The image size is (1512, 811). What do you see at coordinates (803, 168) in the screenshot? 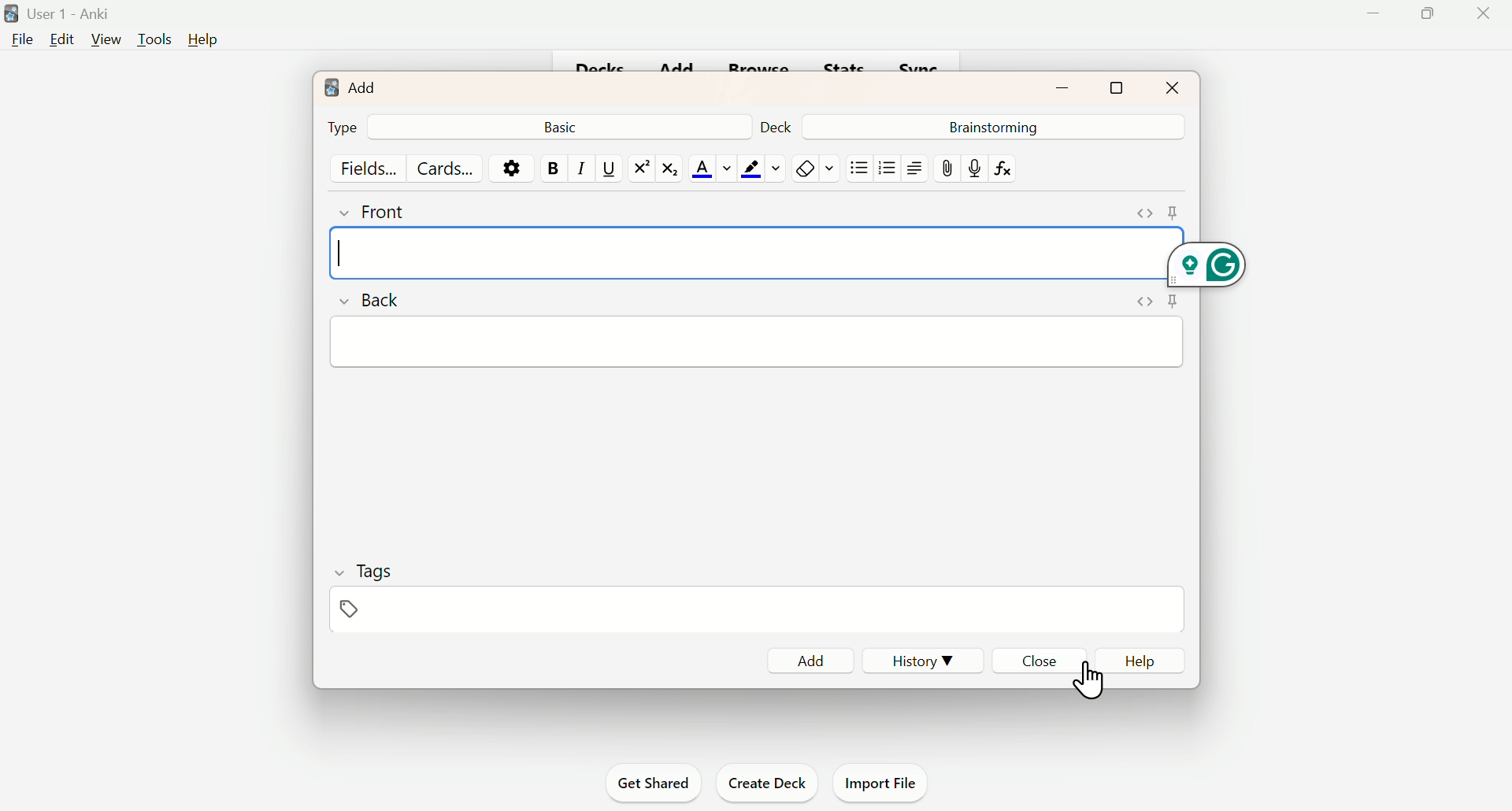
I see `Remove Fornatting` at bounding box center [803, 168].